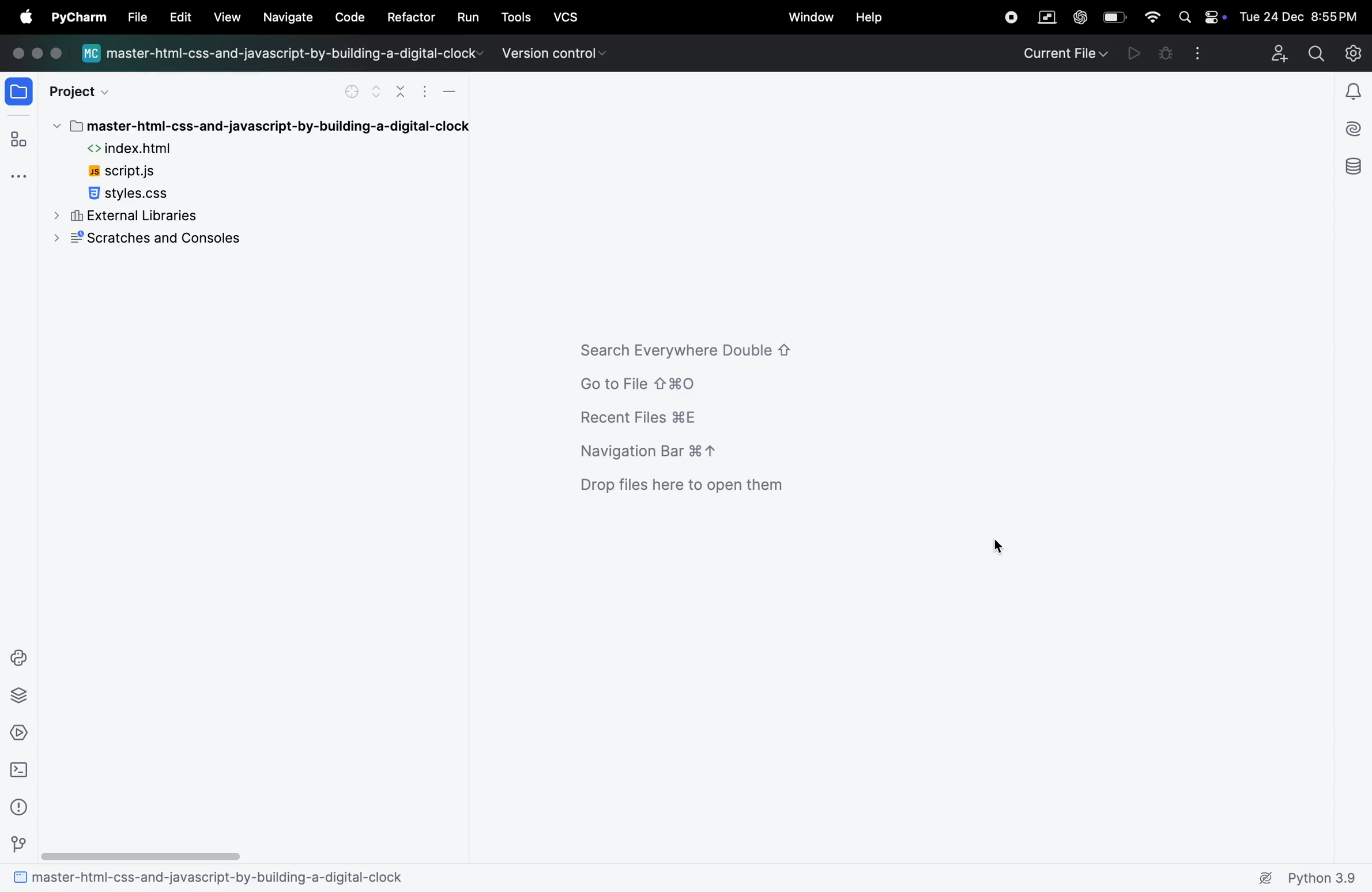 The image size is (1372, 892). I want to click on database, so click(1356, 169).